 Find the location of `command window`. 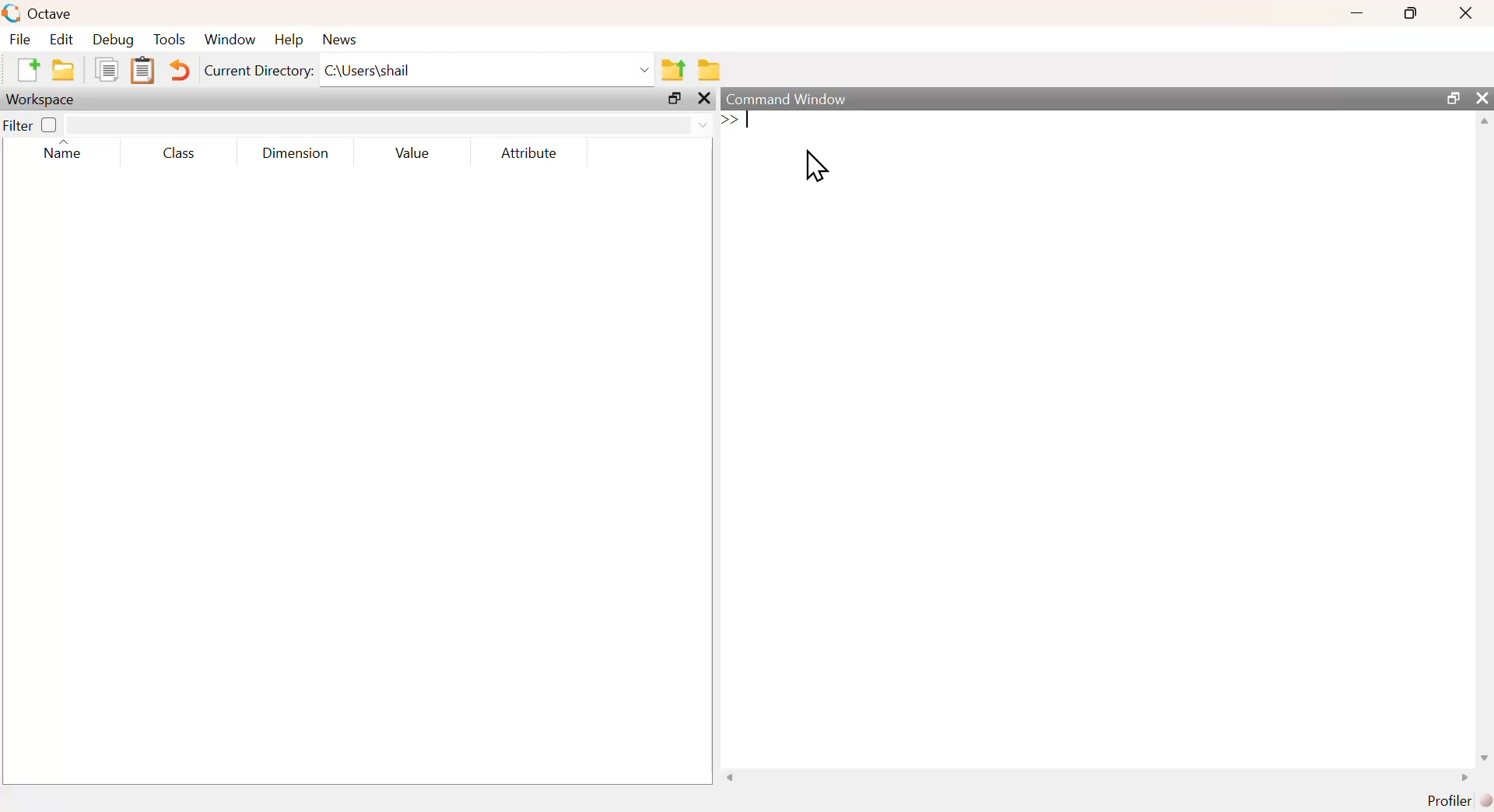

command window is located at coordinates (792, 98).